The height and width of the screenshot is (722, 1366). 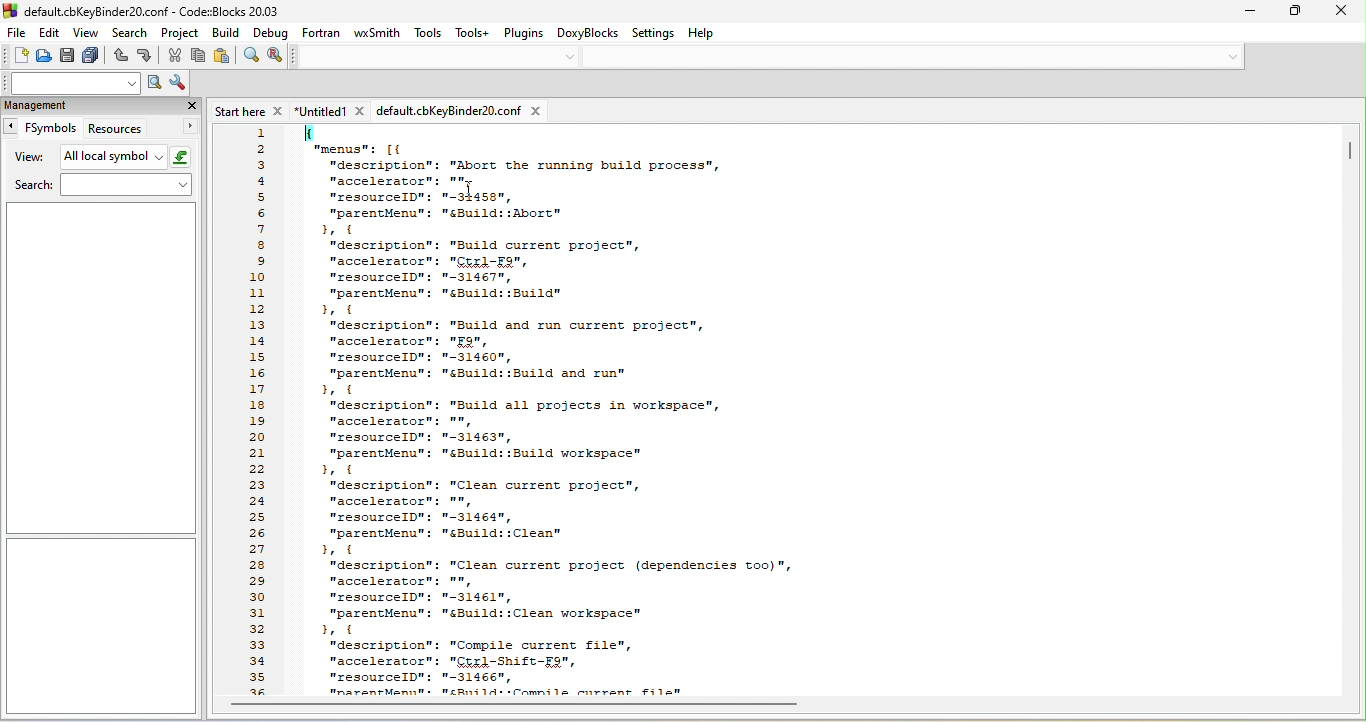 I want to click on workspace configuration file appeared, so click(x=822, y=409).